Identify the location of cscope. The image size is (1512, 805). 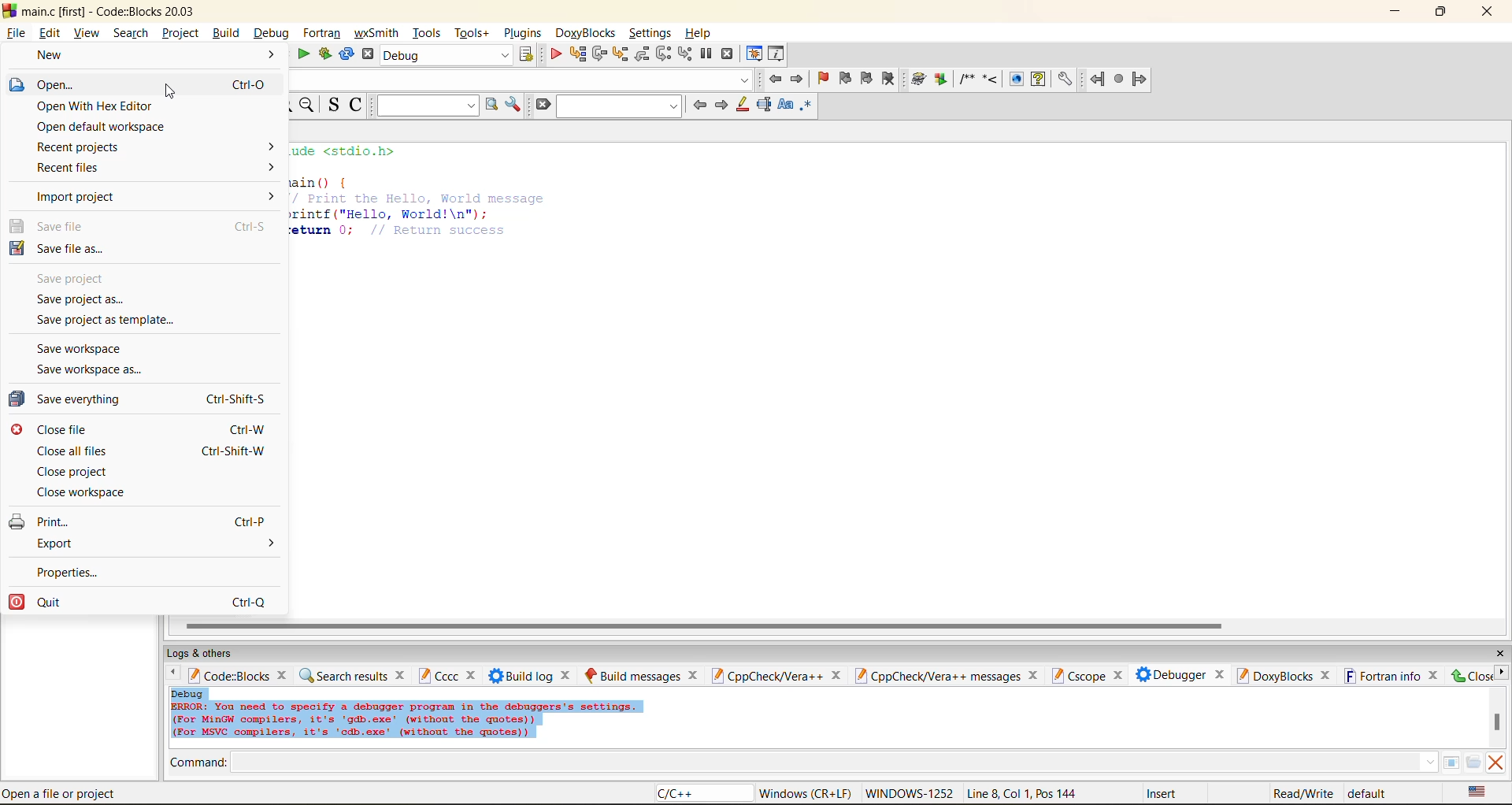
(1077, 674).